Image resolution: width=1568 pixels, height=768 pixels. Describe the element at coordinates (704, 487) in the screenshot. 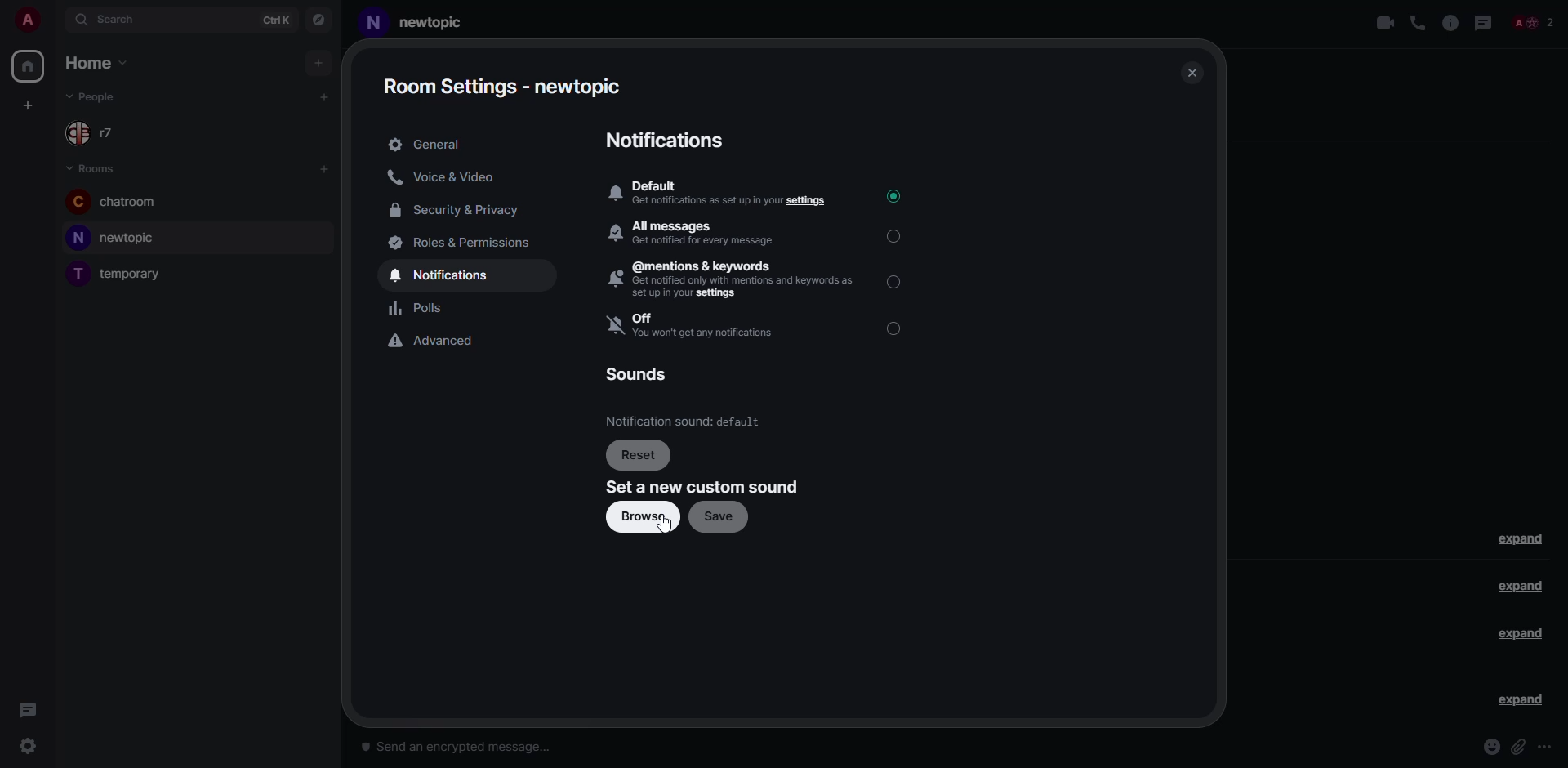

I see `set a new custom sound` at that location.